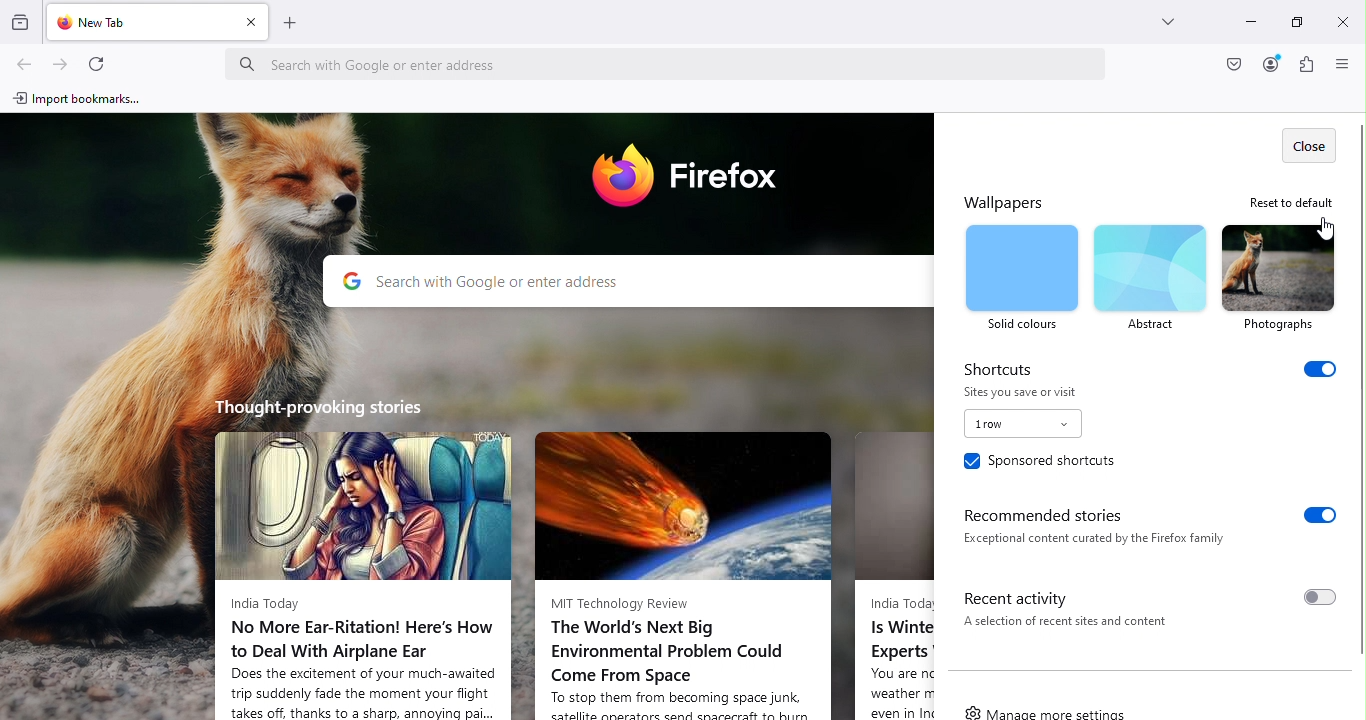 The height and width of the screenshot is (720, 1366). Describe the element at coordinates (688, 564) in the screenshot. I see `New articles` at that location.